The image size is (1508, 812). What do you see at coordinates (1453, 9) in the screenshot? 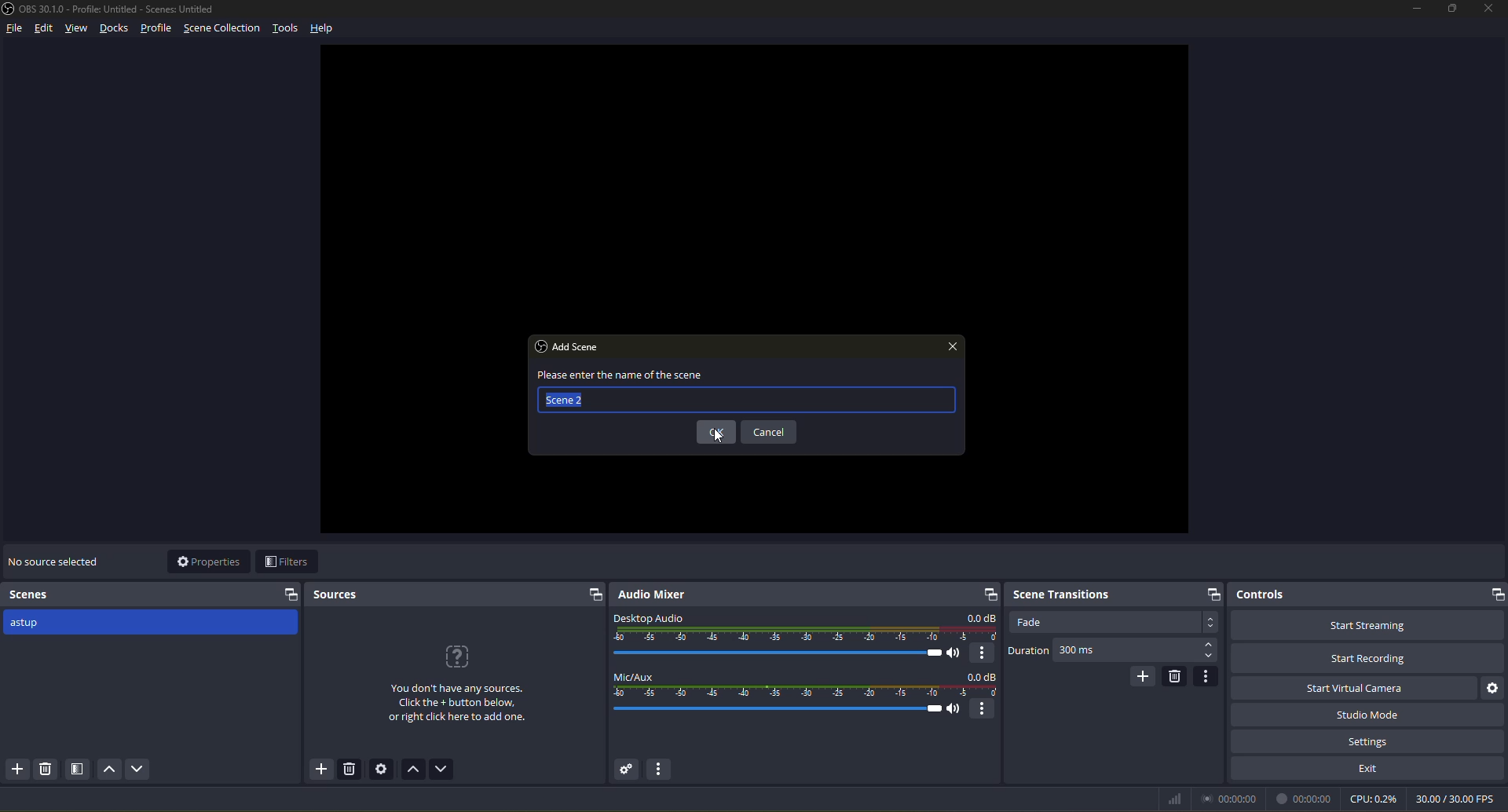
I see `maximize` at bounding box center [1453, 9].